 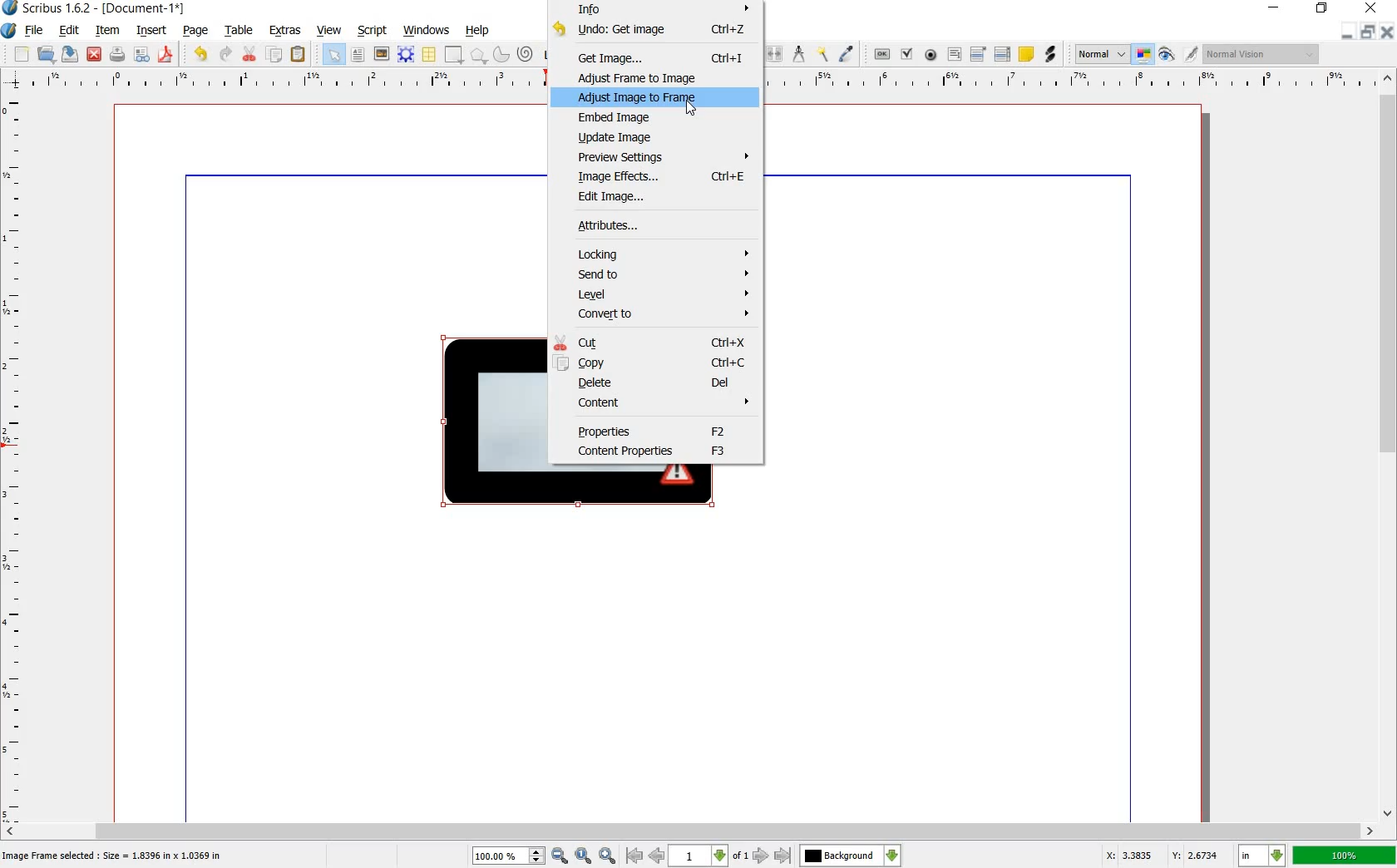 I want to click on set unit, so click(x=1261, y=856).